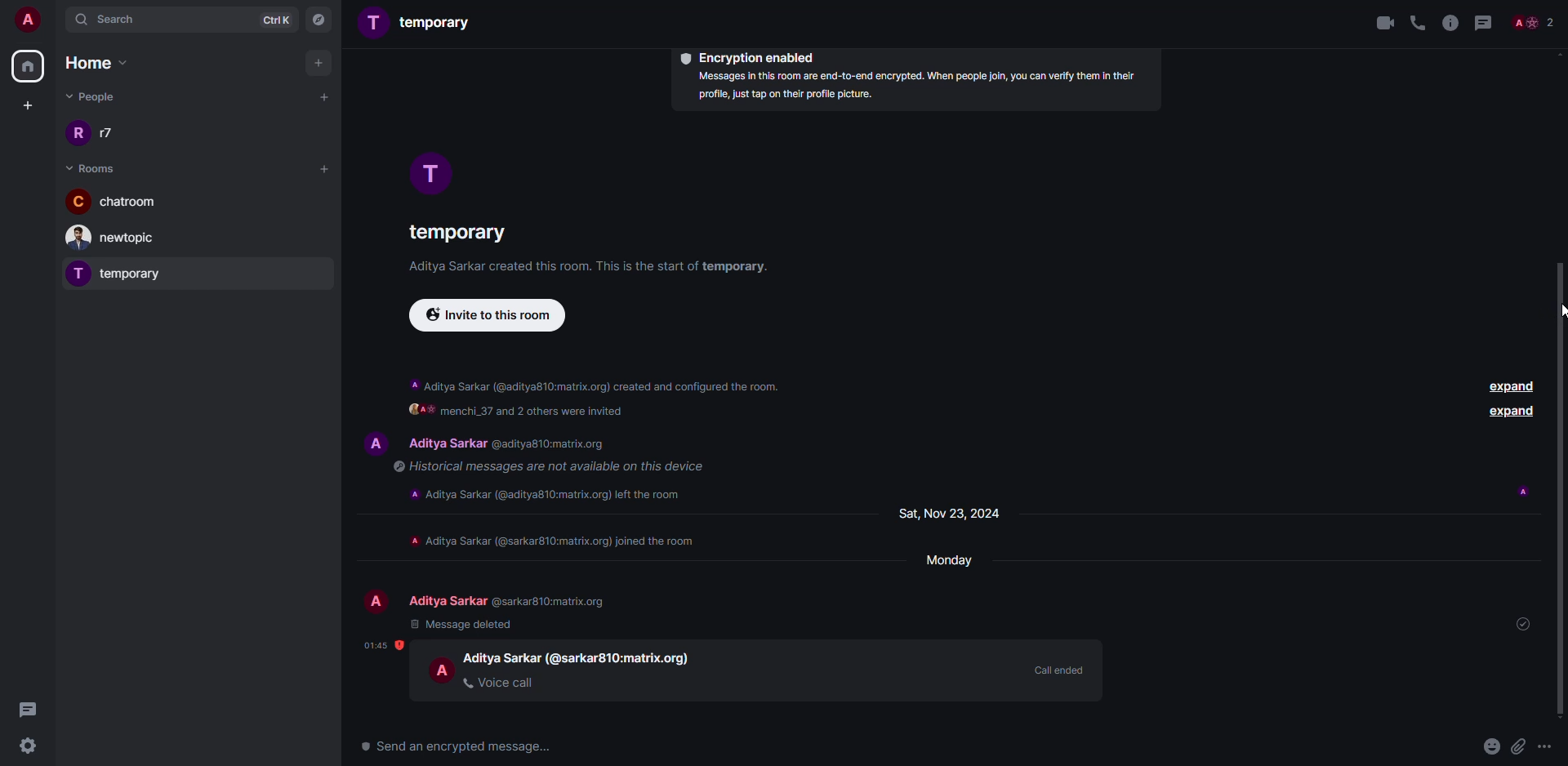 Image resolution: width=1568 pixels, height=766 pixels. What do you see at coordinates (951, 514) in the screenshot?
I see `day` at bounding box center [951, 514].